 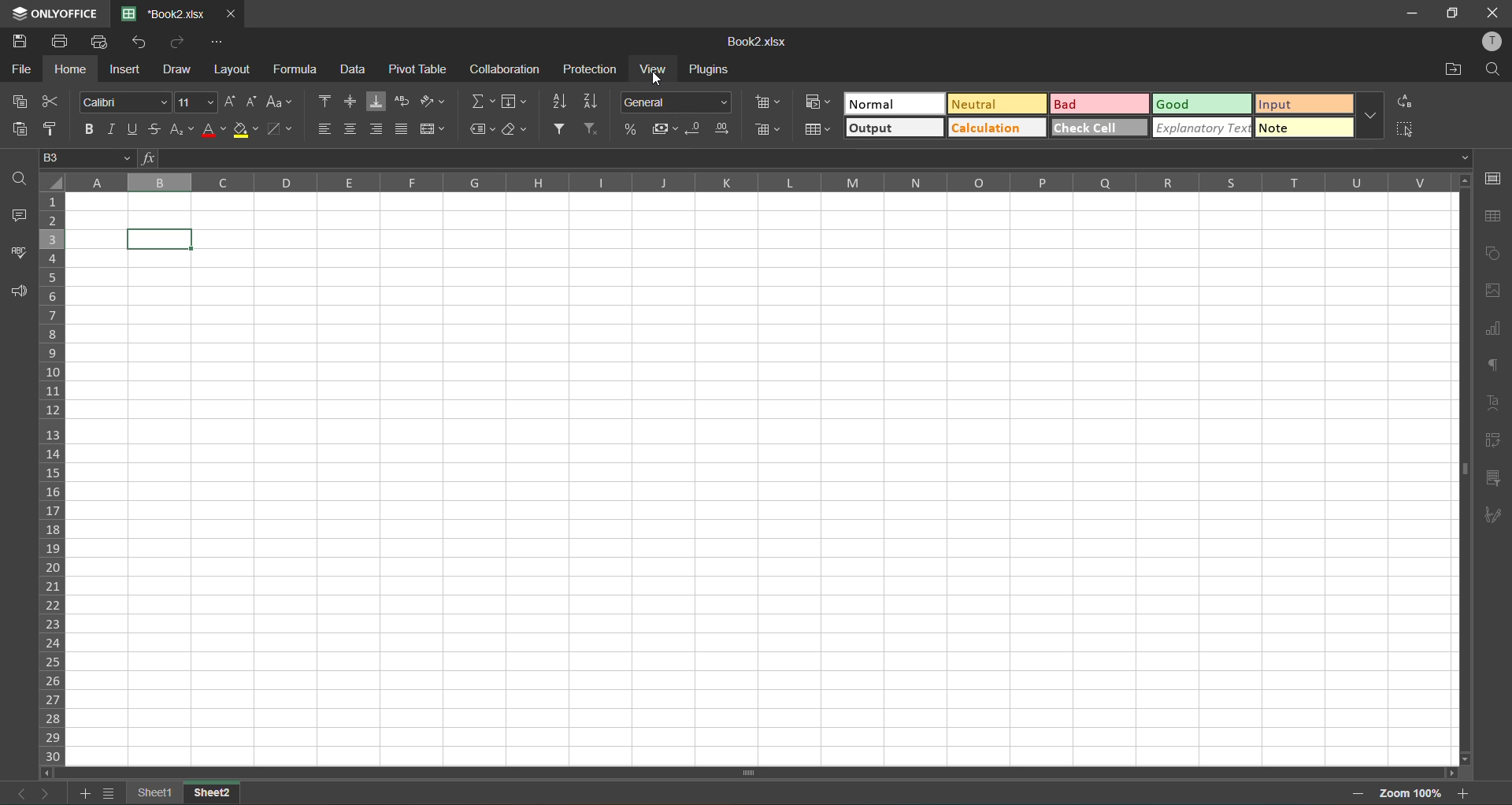 What do you see at coordinates (124, 69) in the screenshot?
I see `insert` at bounding box center [124, 69].